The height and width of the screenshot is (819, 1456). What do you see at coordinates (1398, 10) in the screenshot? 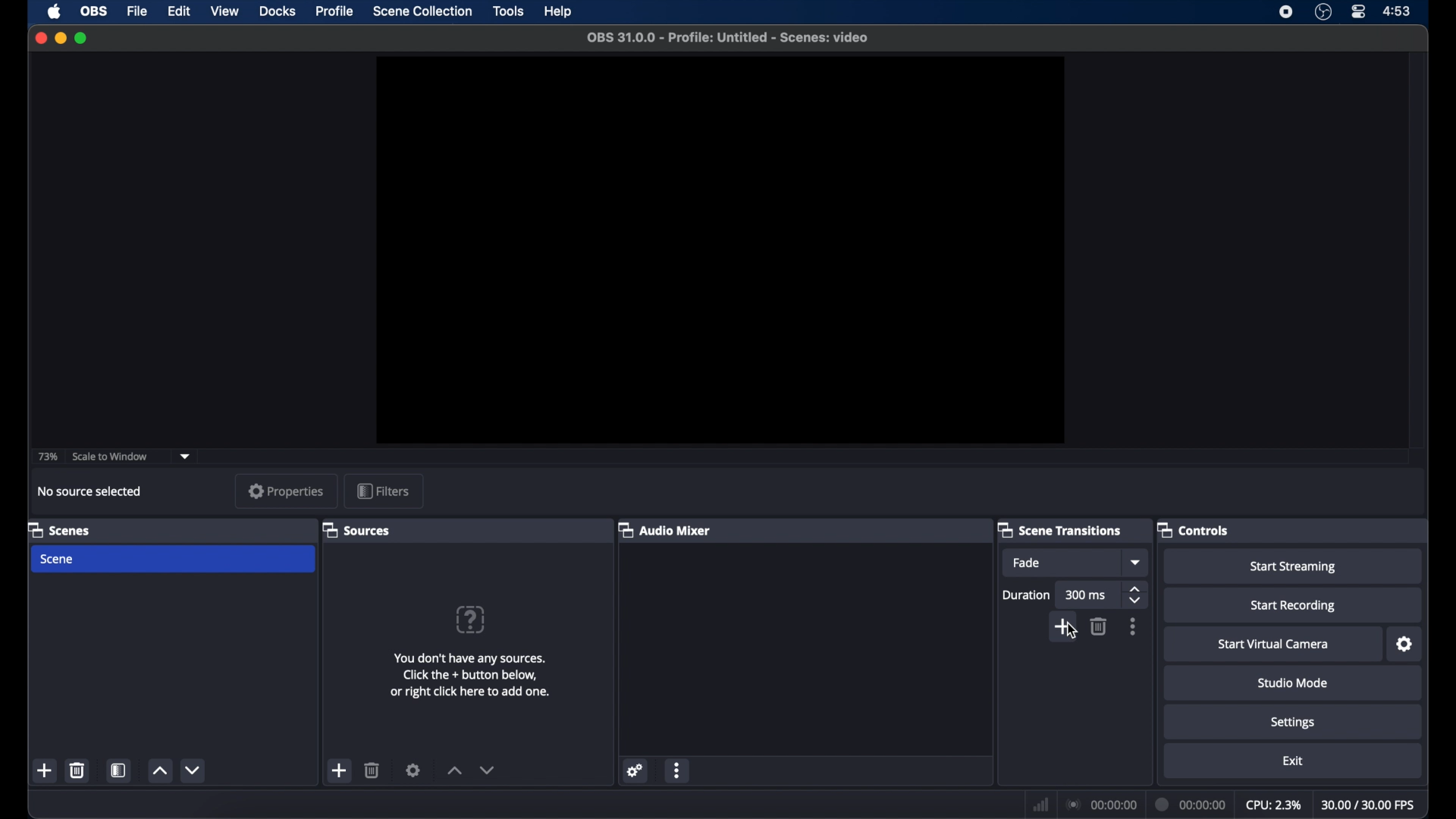
I see `time` at bounding box center [1398, 10].